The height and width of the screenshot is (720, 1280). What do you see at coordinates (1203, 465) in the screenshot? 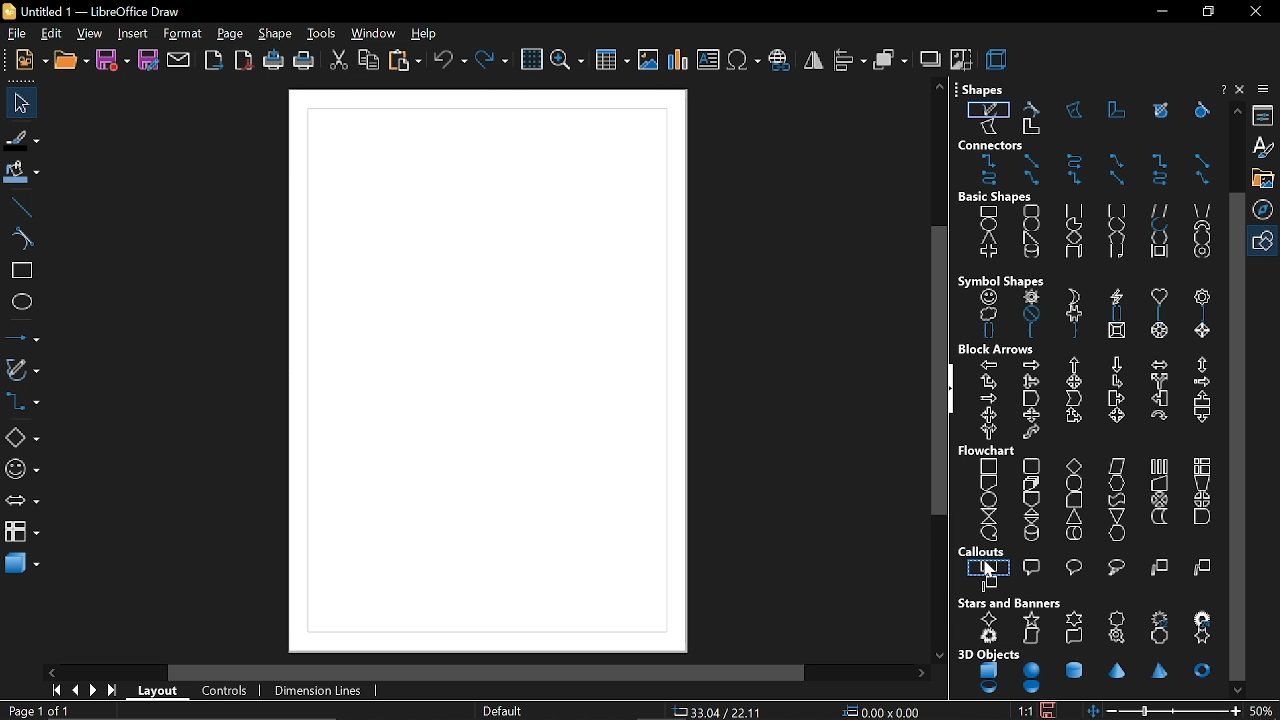
I see `internal storage` at bounding box center [1203, 465].